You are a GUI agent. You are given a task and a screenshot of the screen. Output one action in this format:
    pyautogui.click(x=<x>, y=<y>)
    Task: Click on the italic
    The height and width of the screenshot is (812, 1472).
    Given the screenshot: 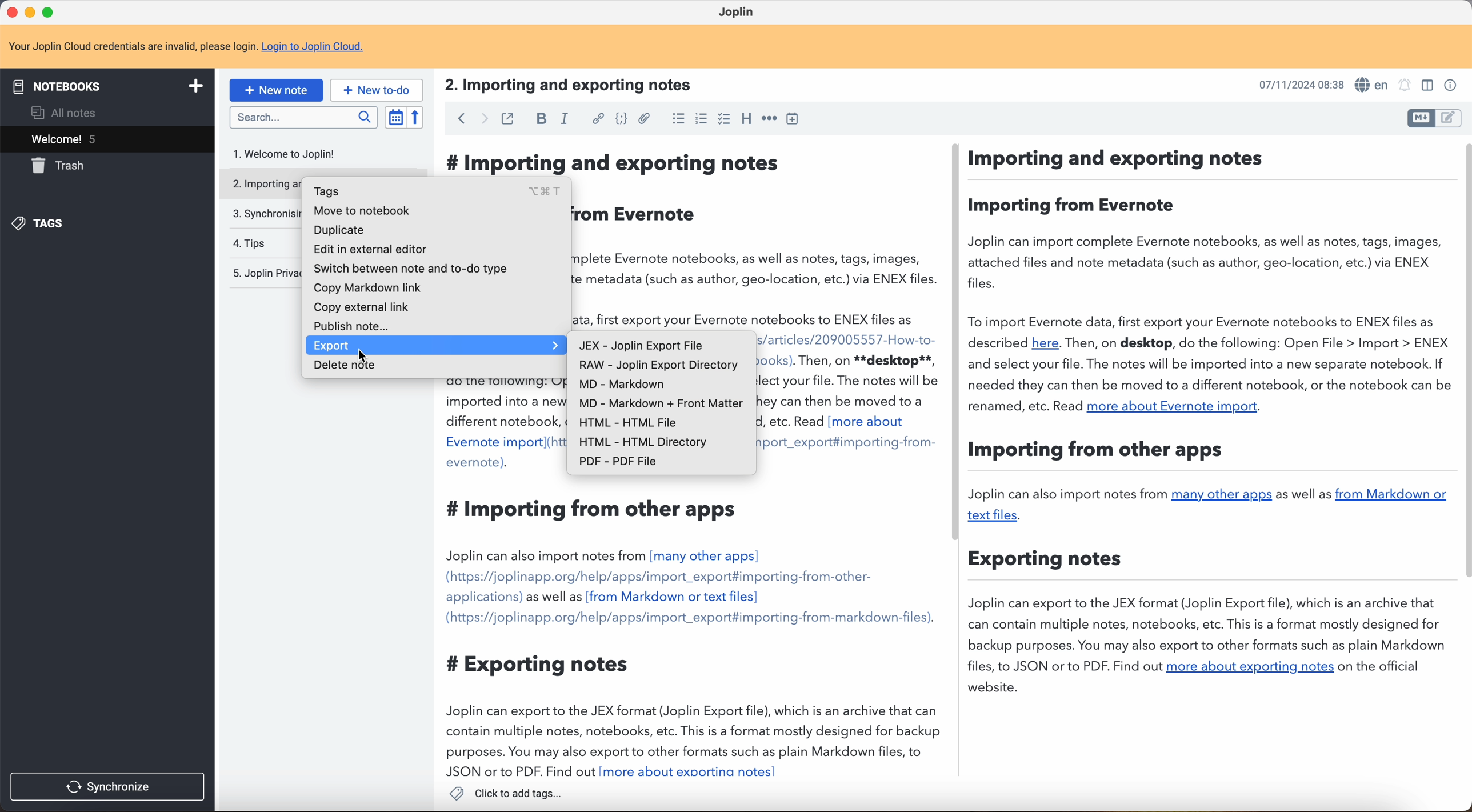 What is the action you would take?
    pyautogui.click(x=566, y=119)
    